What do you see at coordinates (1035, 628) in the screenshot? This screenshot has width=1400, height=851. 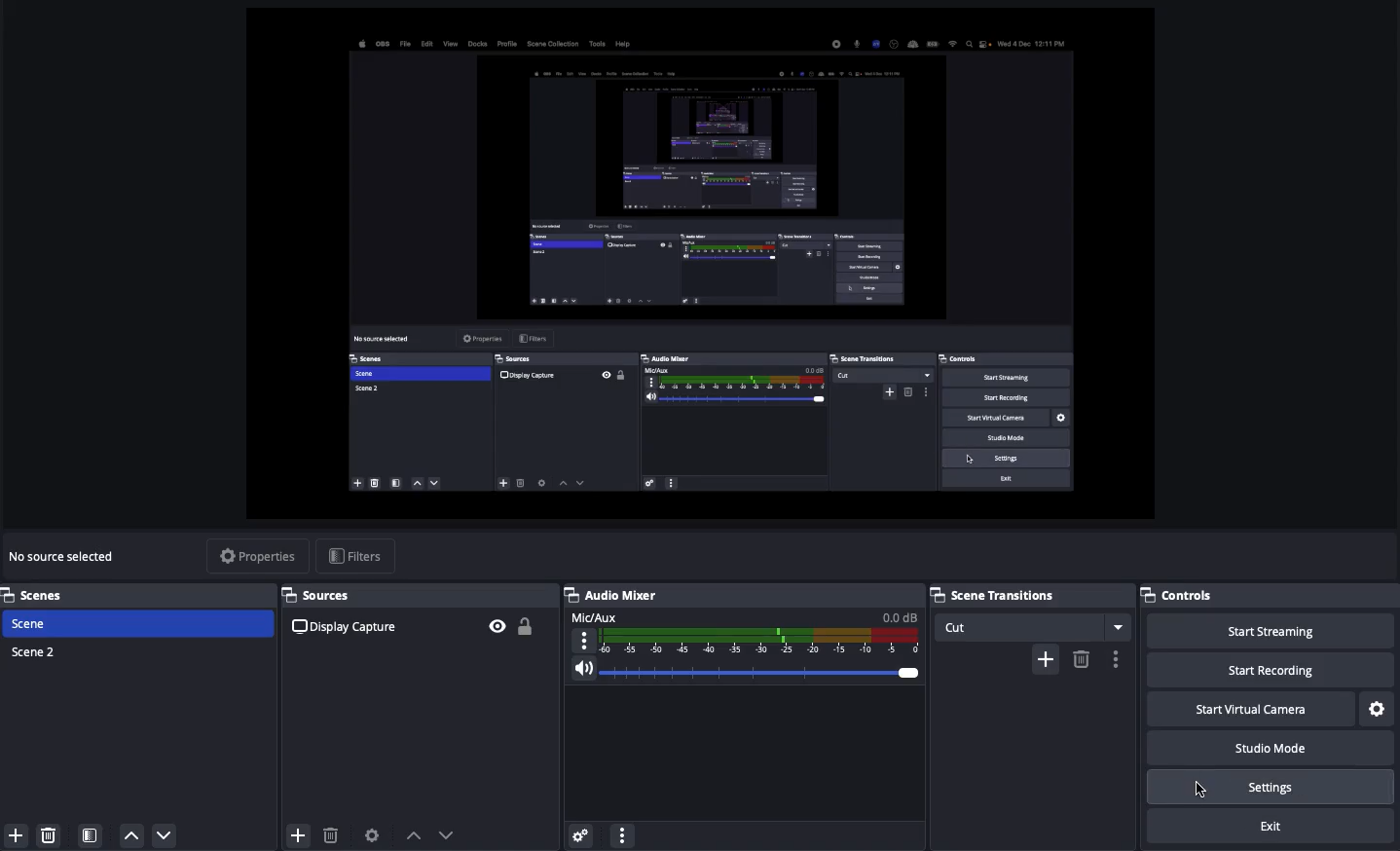 I see `Cut` at bounding box center [1035, 628].